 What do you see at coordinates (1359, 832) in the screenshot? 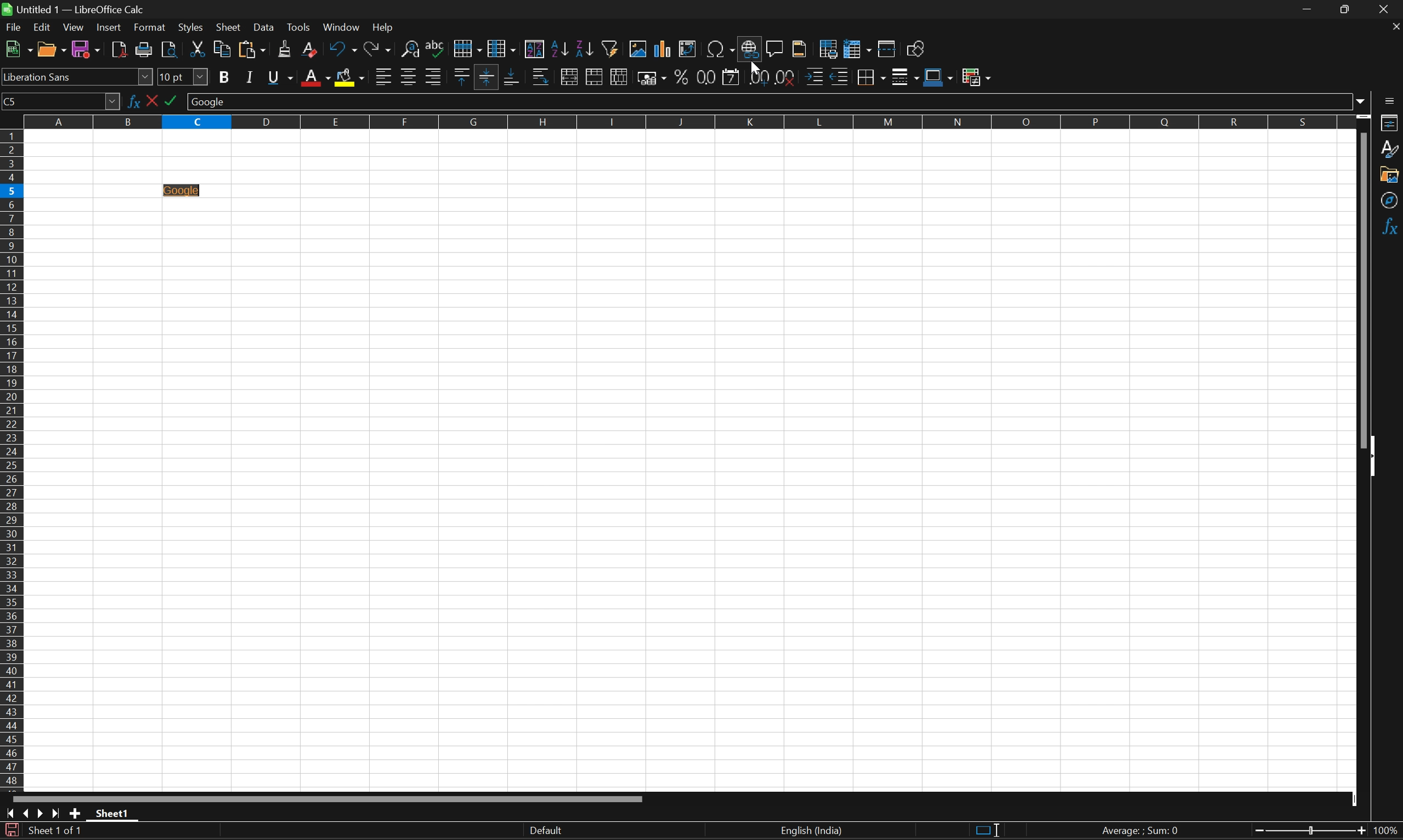
I see `Zoom out` at bounding box center [1359, 832].